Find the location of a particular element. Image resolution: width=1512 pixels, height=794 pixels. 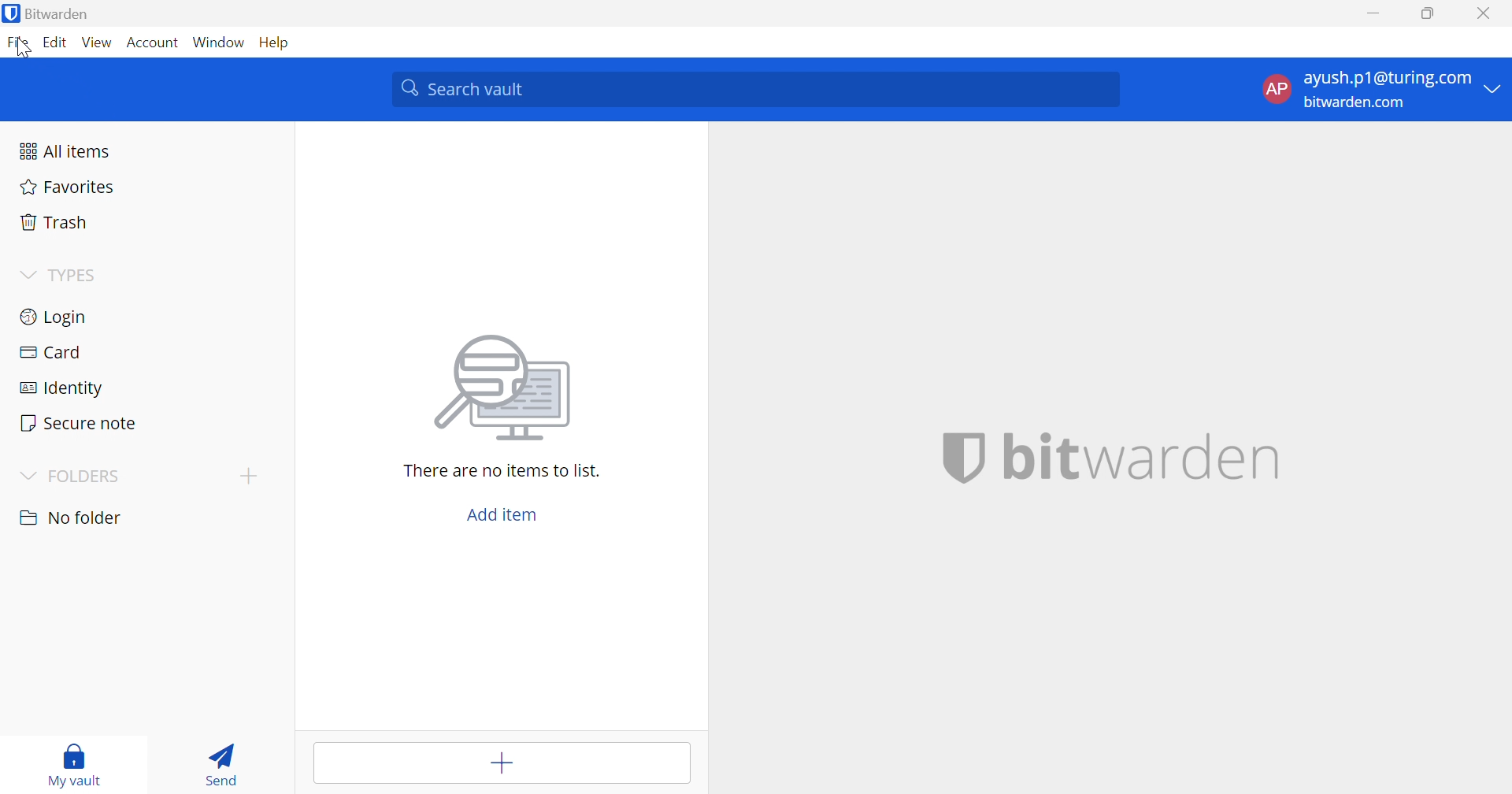

account options is located at coordinates (1382, 88).